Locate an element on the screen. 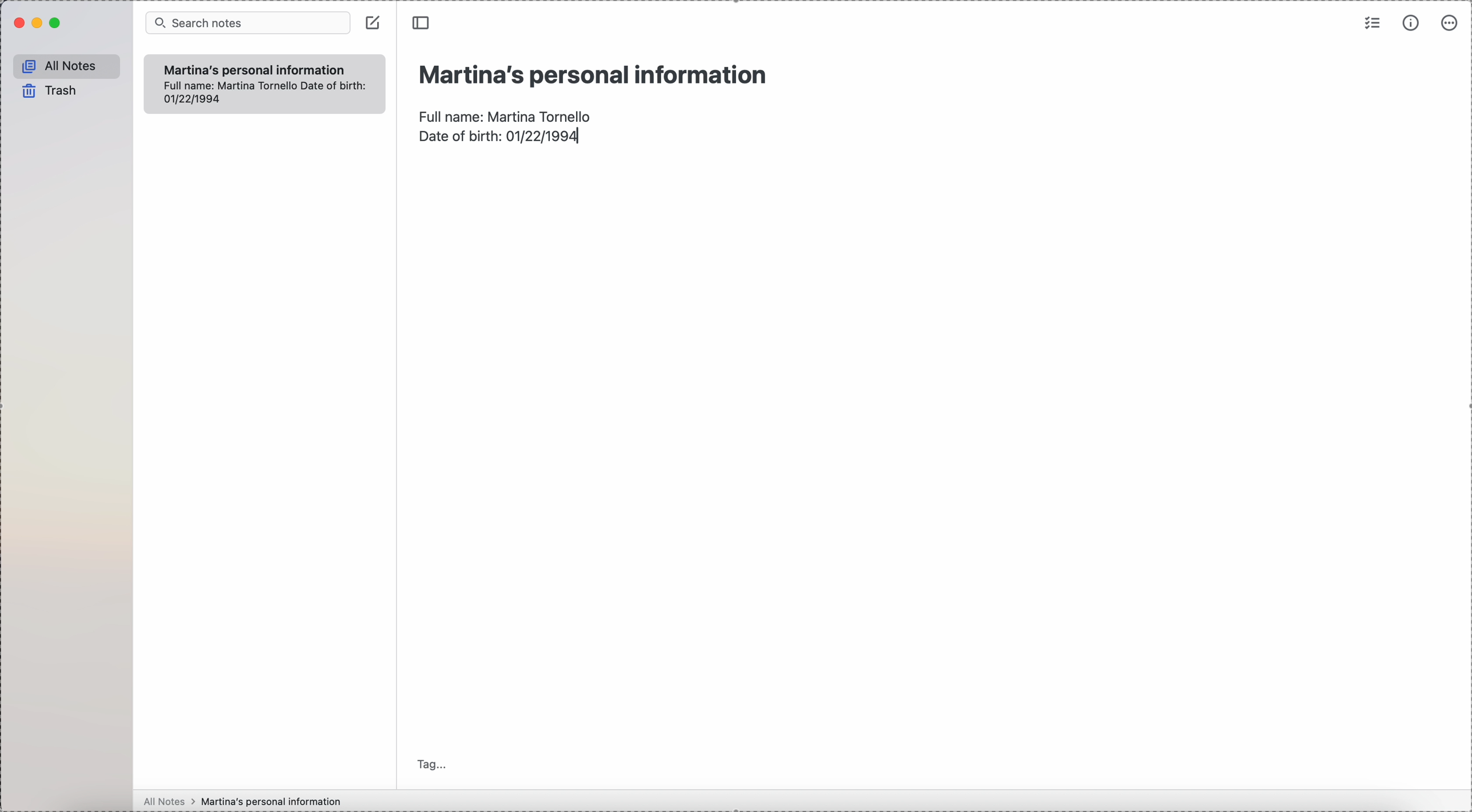 The height and width of the screenshot is (812, 1472). maximize Simplenote is located at coordinates (56, 23).